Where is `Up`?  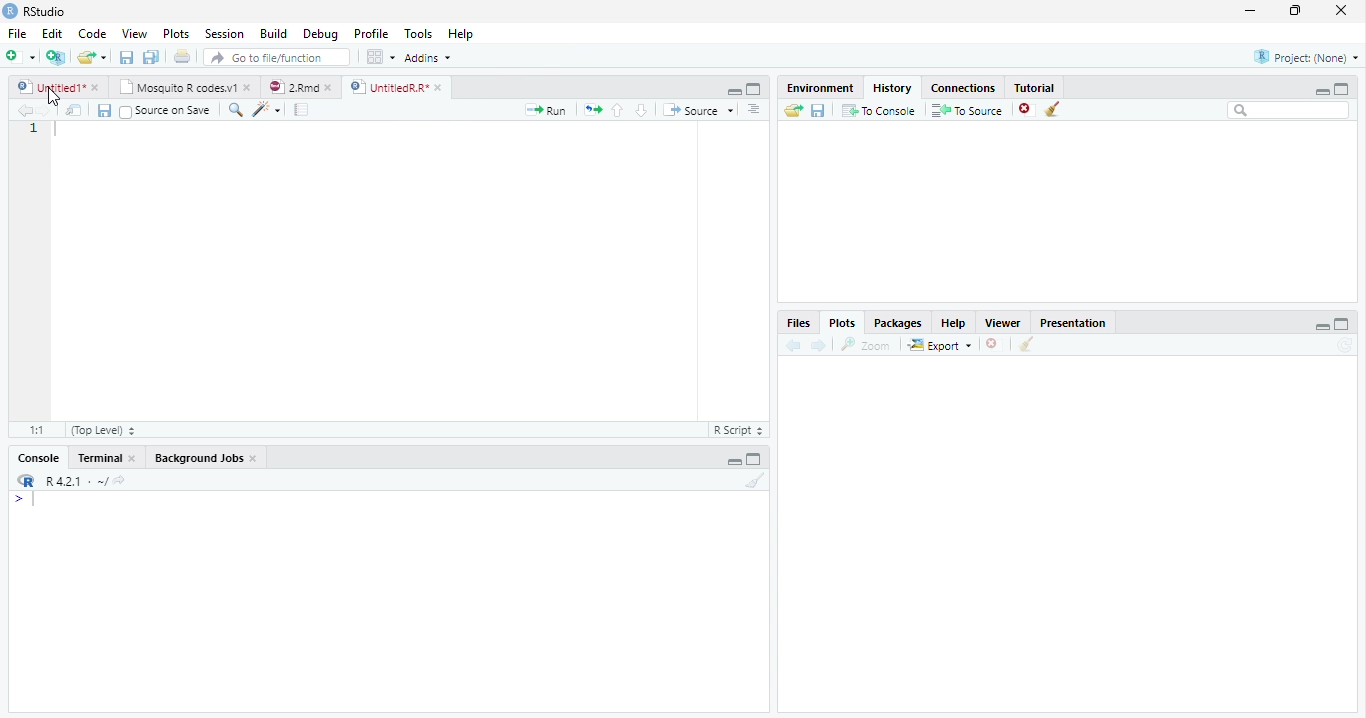 Up is located at coordinates (618, 110).